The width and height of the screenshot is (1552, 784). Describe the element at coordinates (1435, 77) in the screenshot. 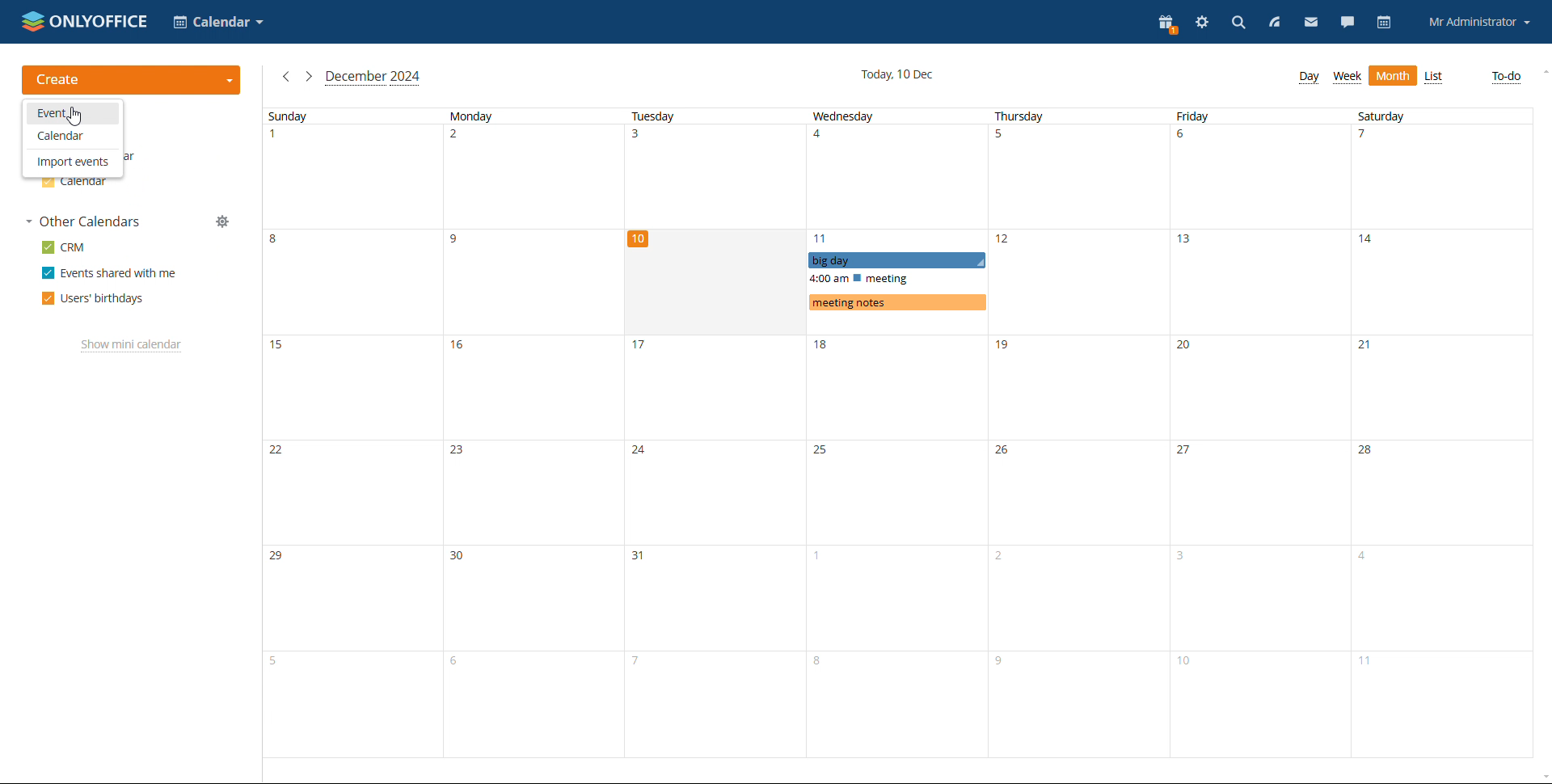

I see `list view` at that location.